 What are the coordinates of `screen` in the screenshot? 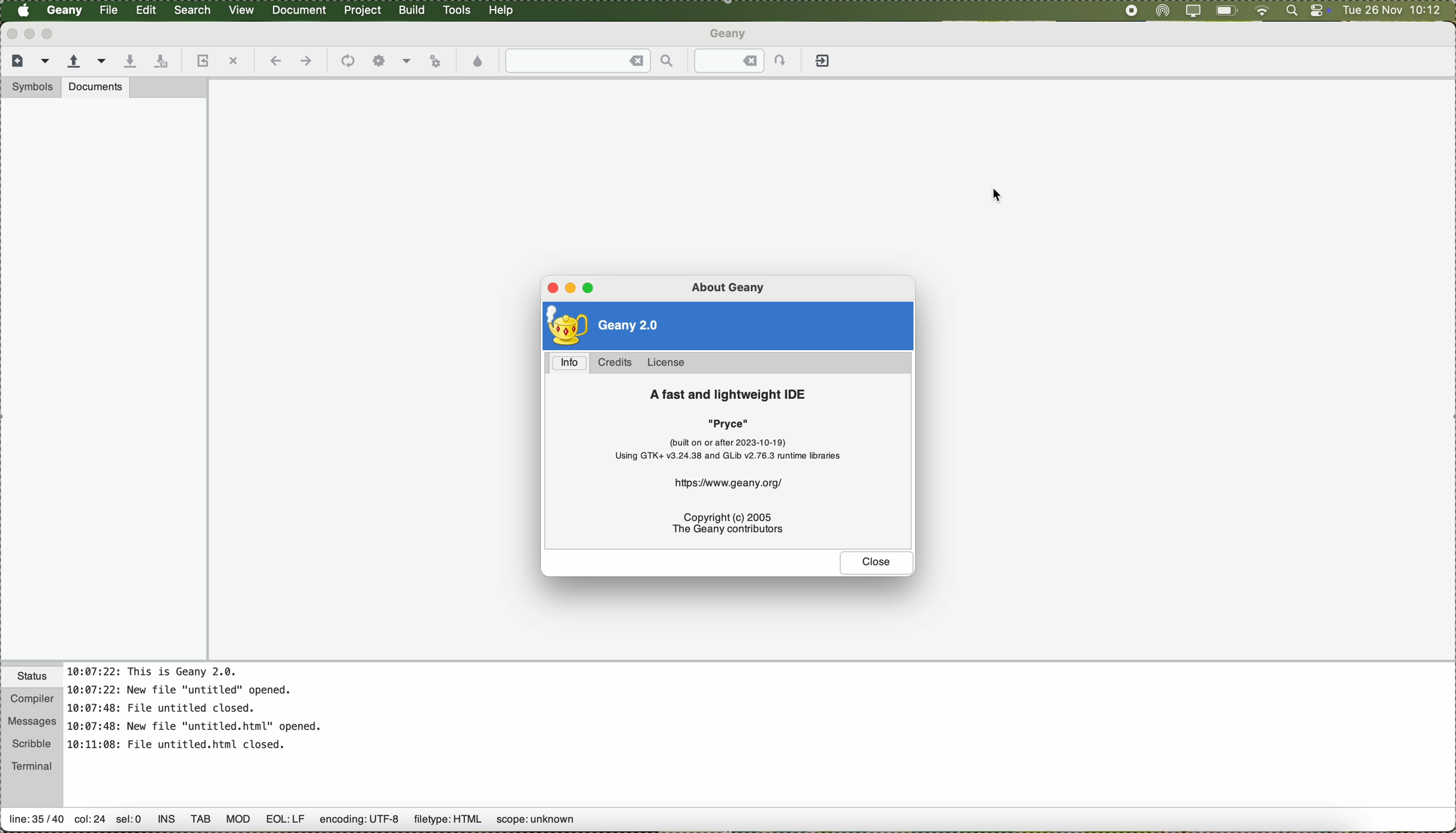 It's located at (1128, 10).